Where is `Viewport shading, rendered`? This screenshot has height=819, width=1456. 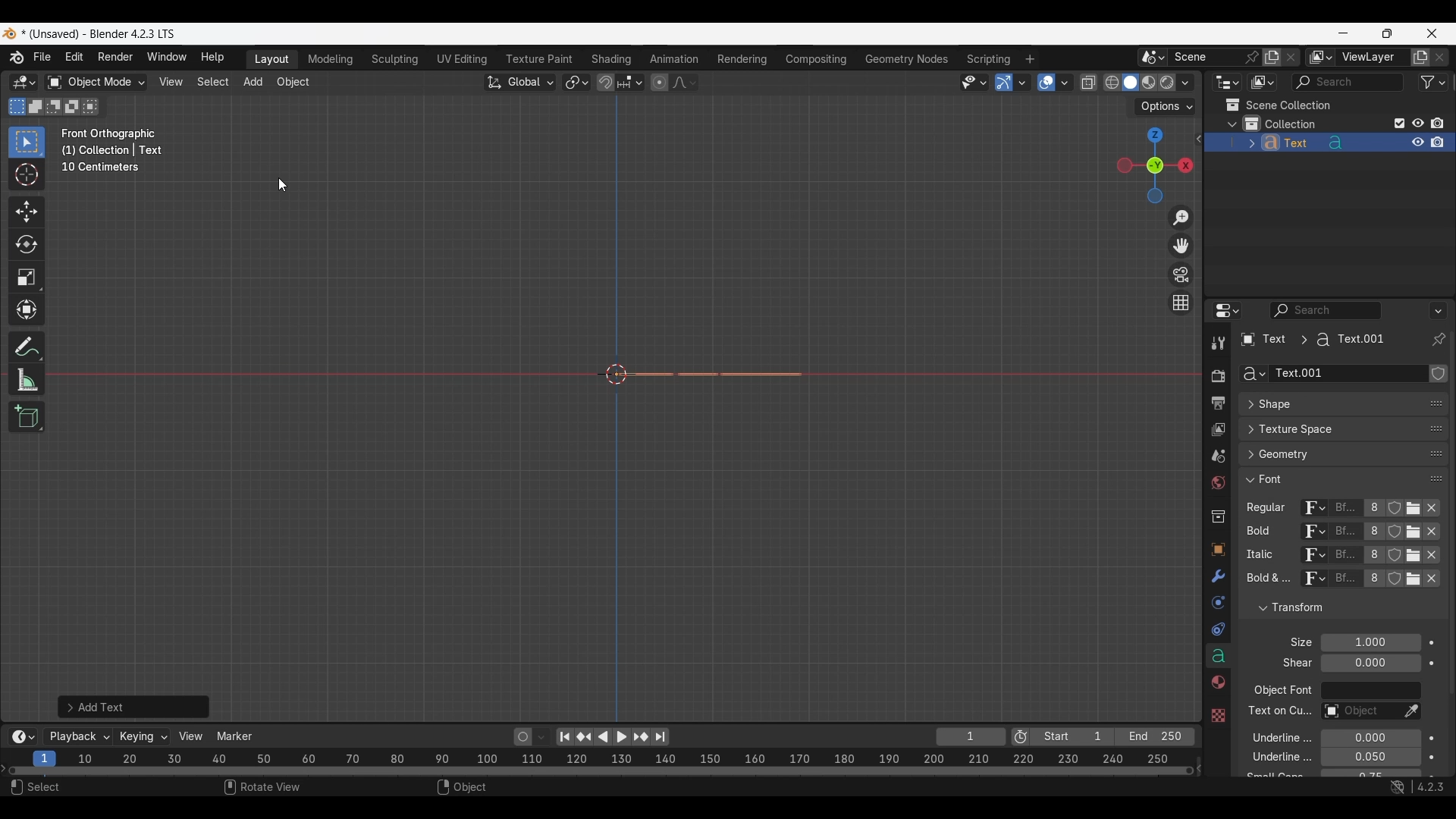
Viewport shading, rendered is located at coordinates (1166, 82).